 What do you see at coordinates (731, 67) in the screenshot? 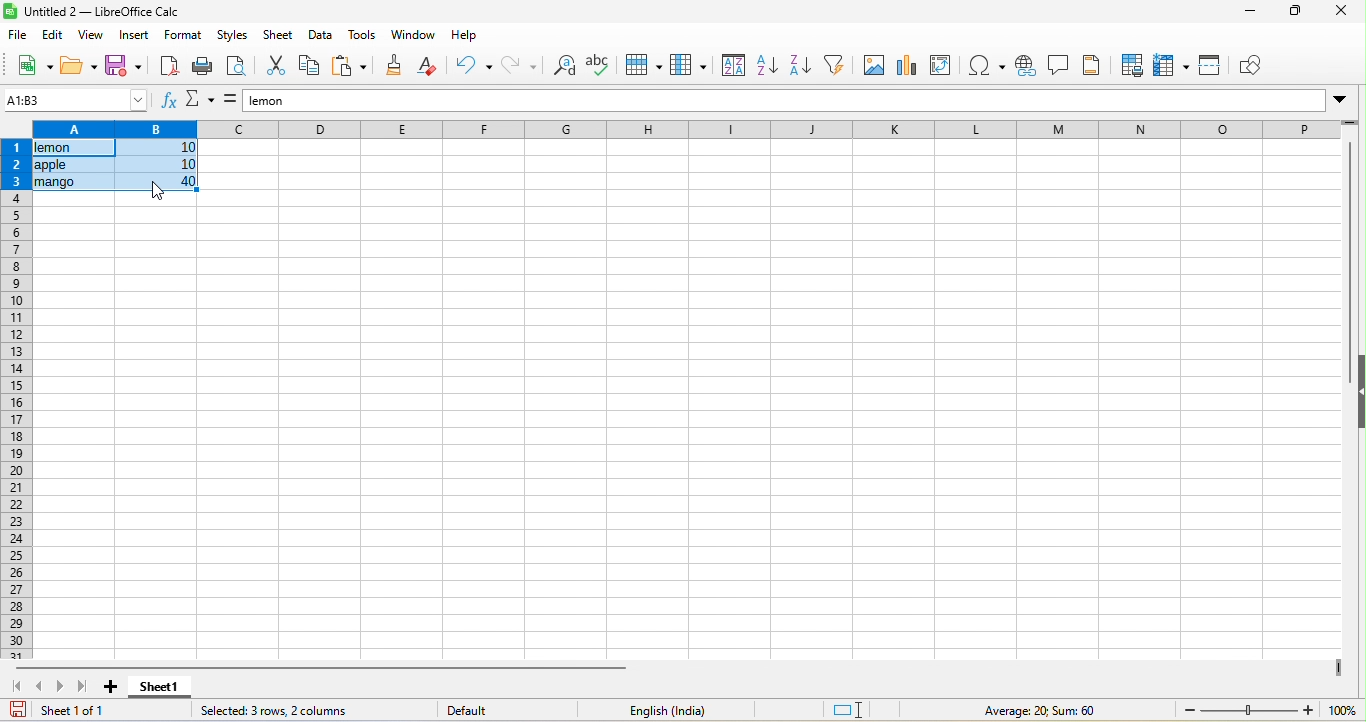
I see `sort` at bounding box center [731, 67].